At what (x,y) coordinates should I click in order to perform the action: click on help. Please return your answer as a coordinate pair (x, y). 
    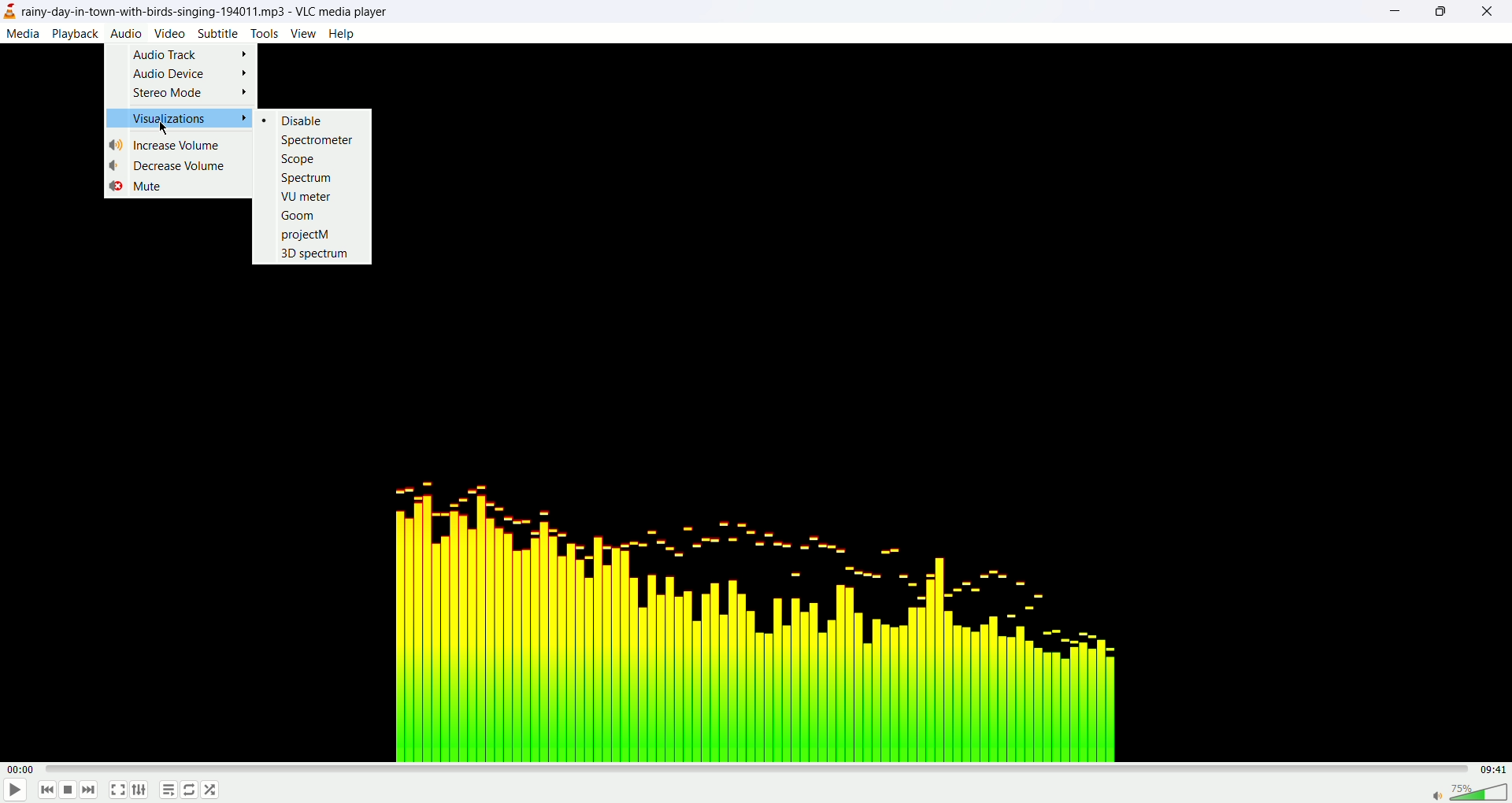
    Looking at the image, I should click on (343, 34).